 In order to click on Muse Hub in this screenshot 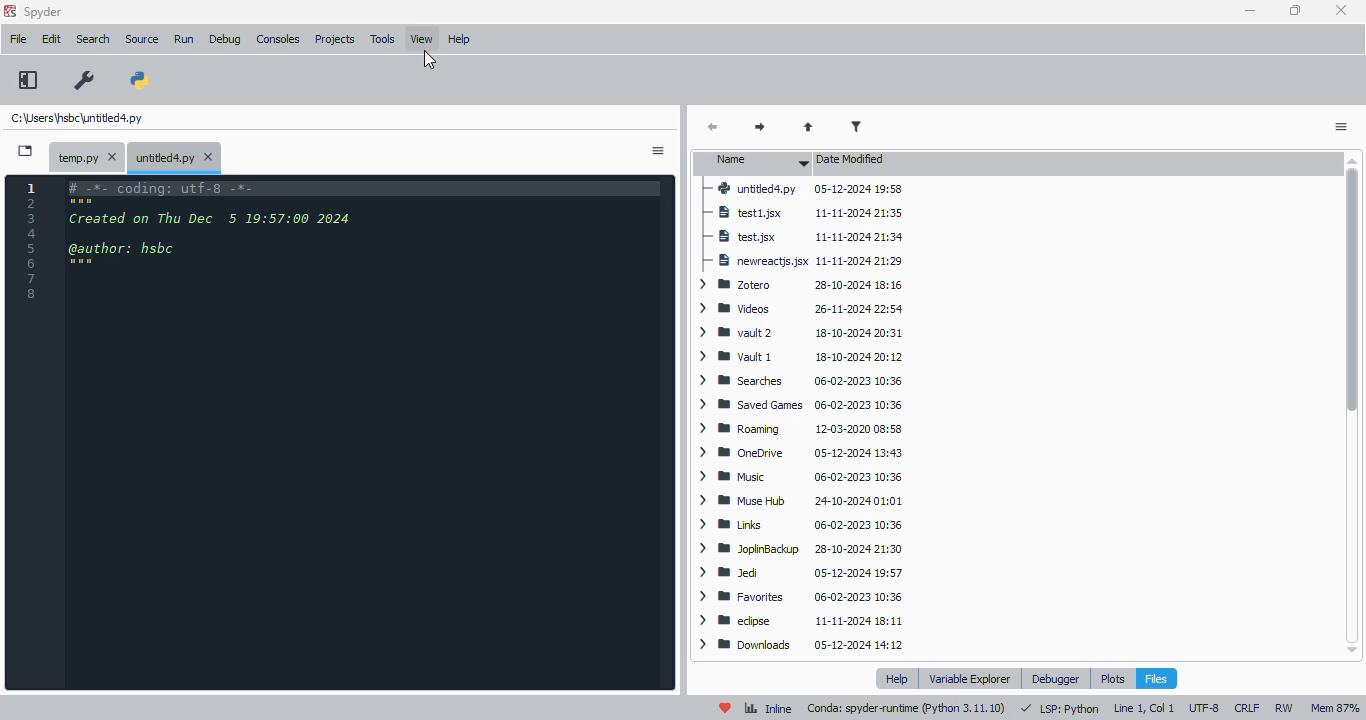, I will do `click(800, 501)`.